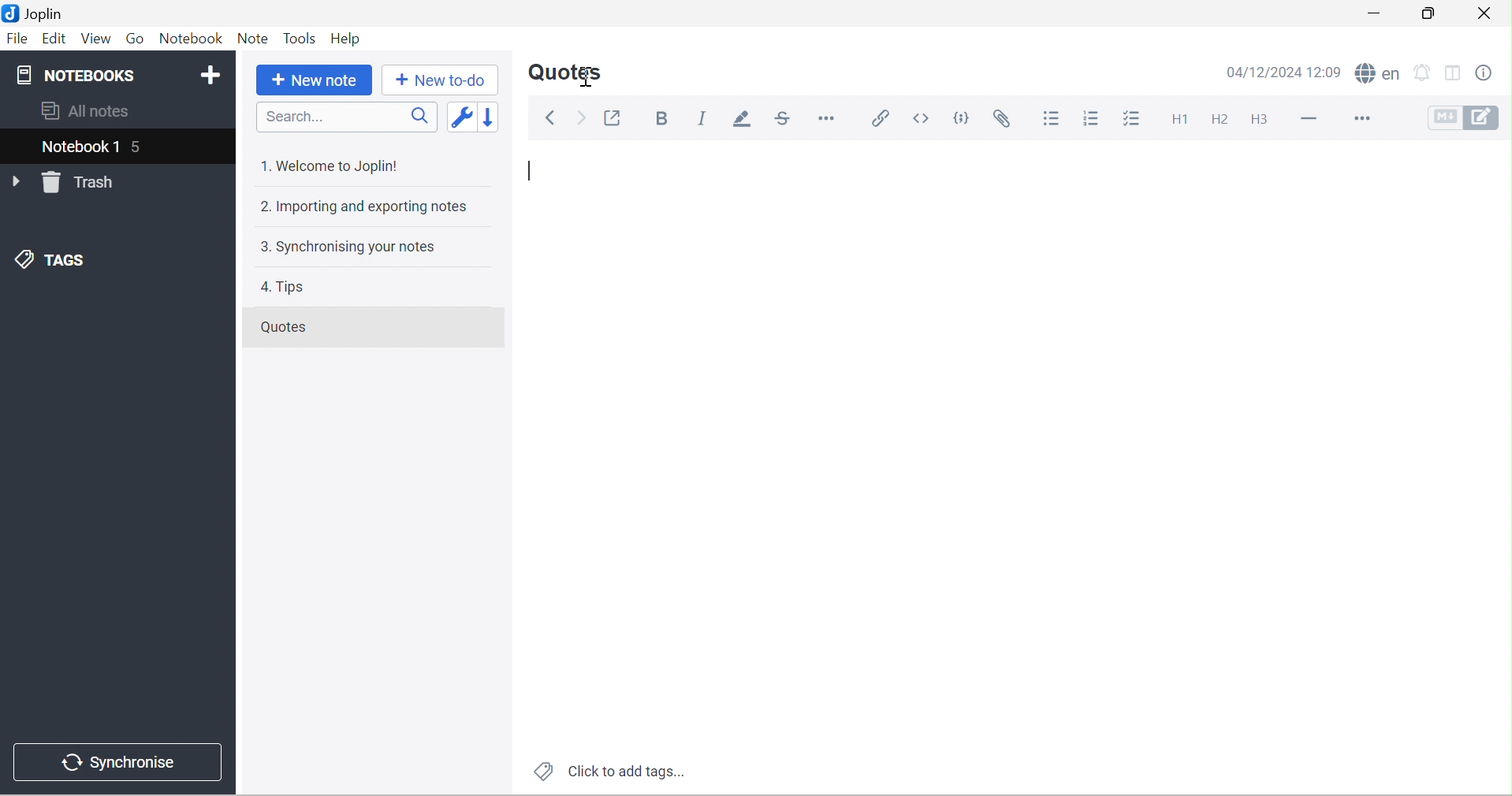 This screenshot has width=1512, height=796. Describe the element at coordinates (1376, 13) in the screenshot. I see `Minimize` at that location.